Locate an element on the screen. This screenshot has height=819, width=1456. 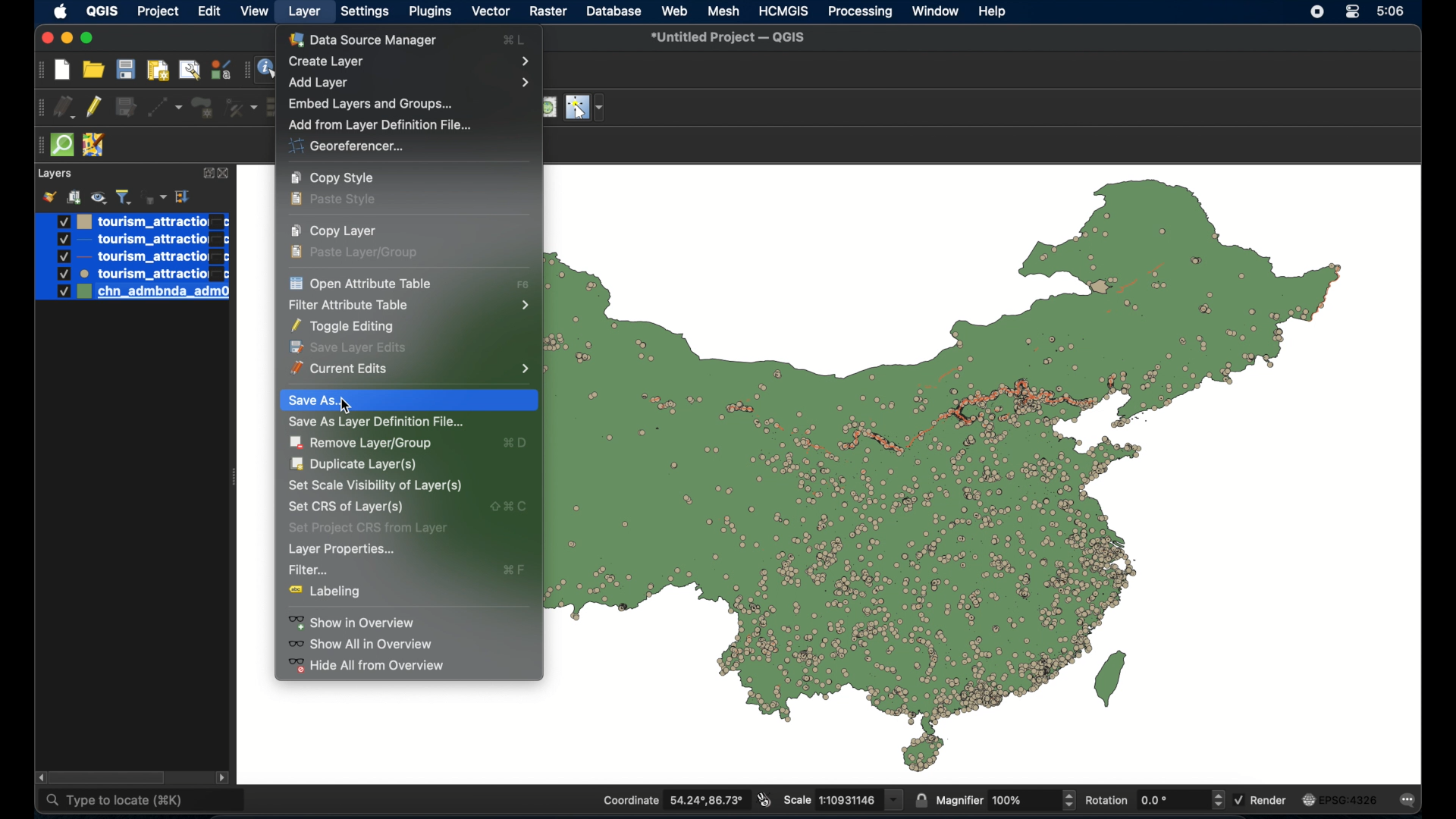
layer properties is located at coordinates (340, 549).